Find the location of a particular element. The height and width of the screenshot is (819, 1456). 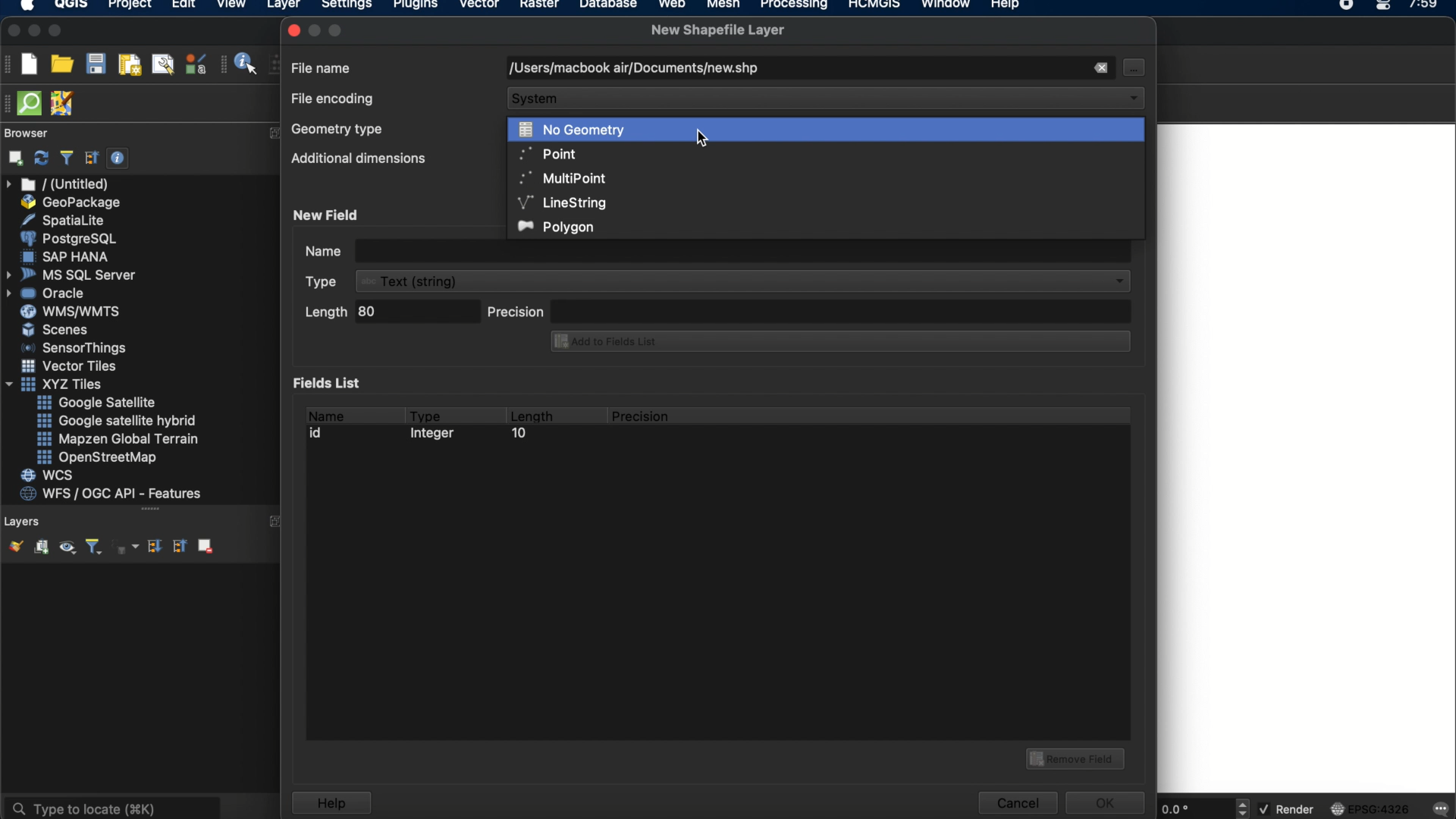

inactive minimize icon is located at coordinates (315, 30).